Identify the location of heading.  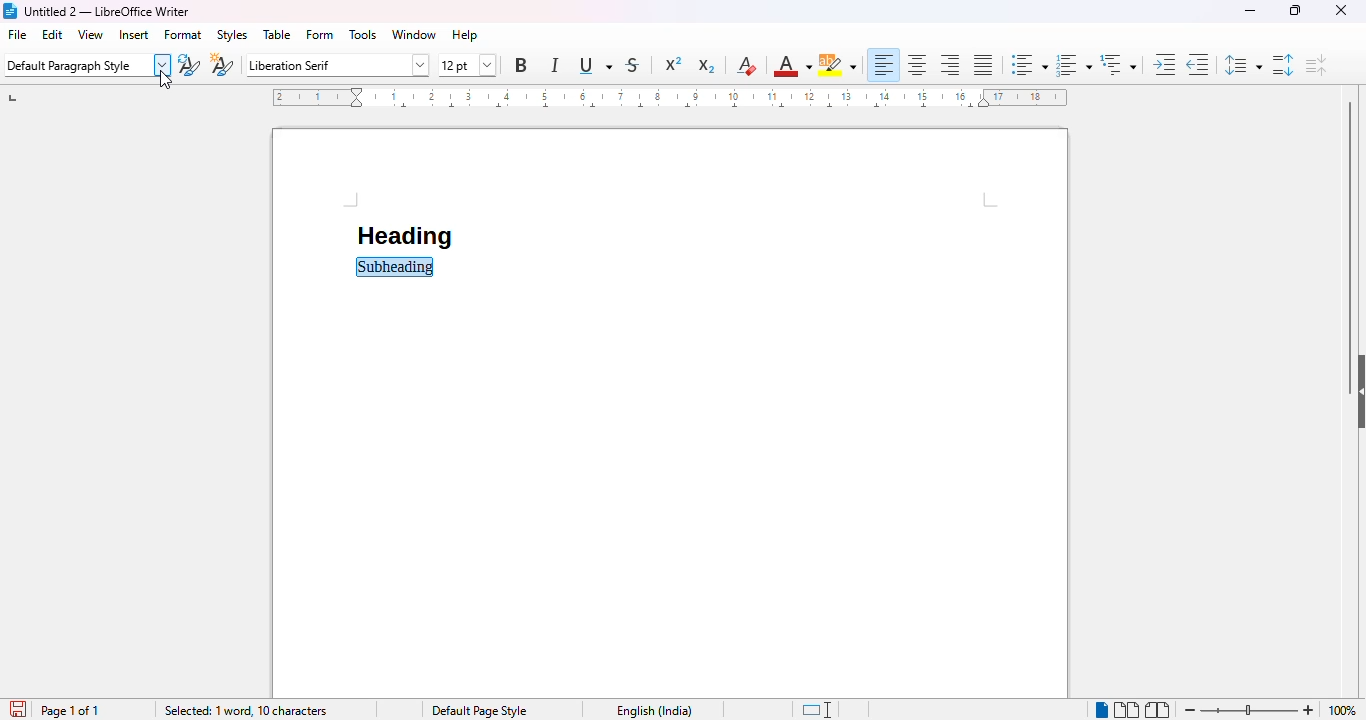
(403, 236).